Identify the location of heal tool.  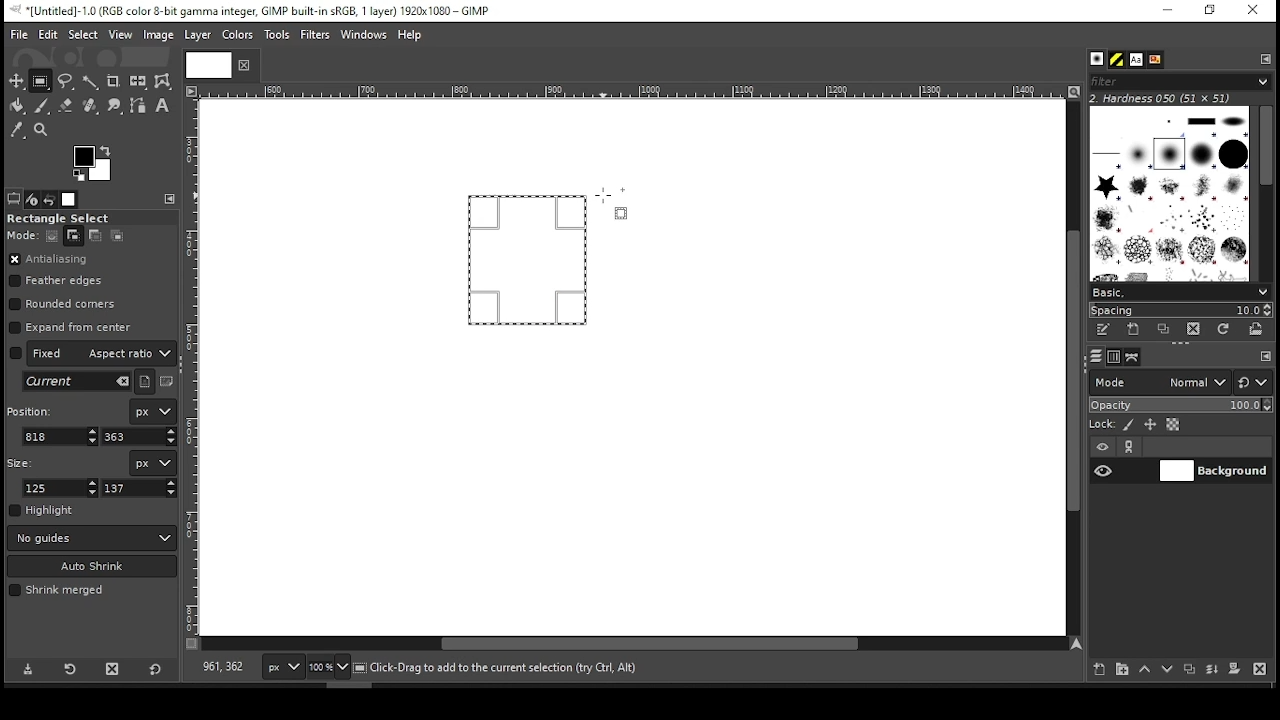
(92, 107).